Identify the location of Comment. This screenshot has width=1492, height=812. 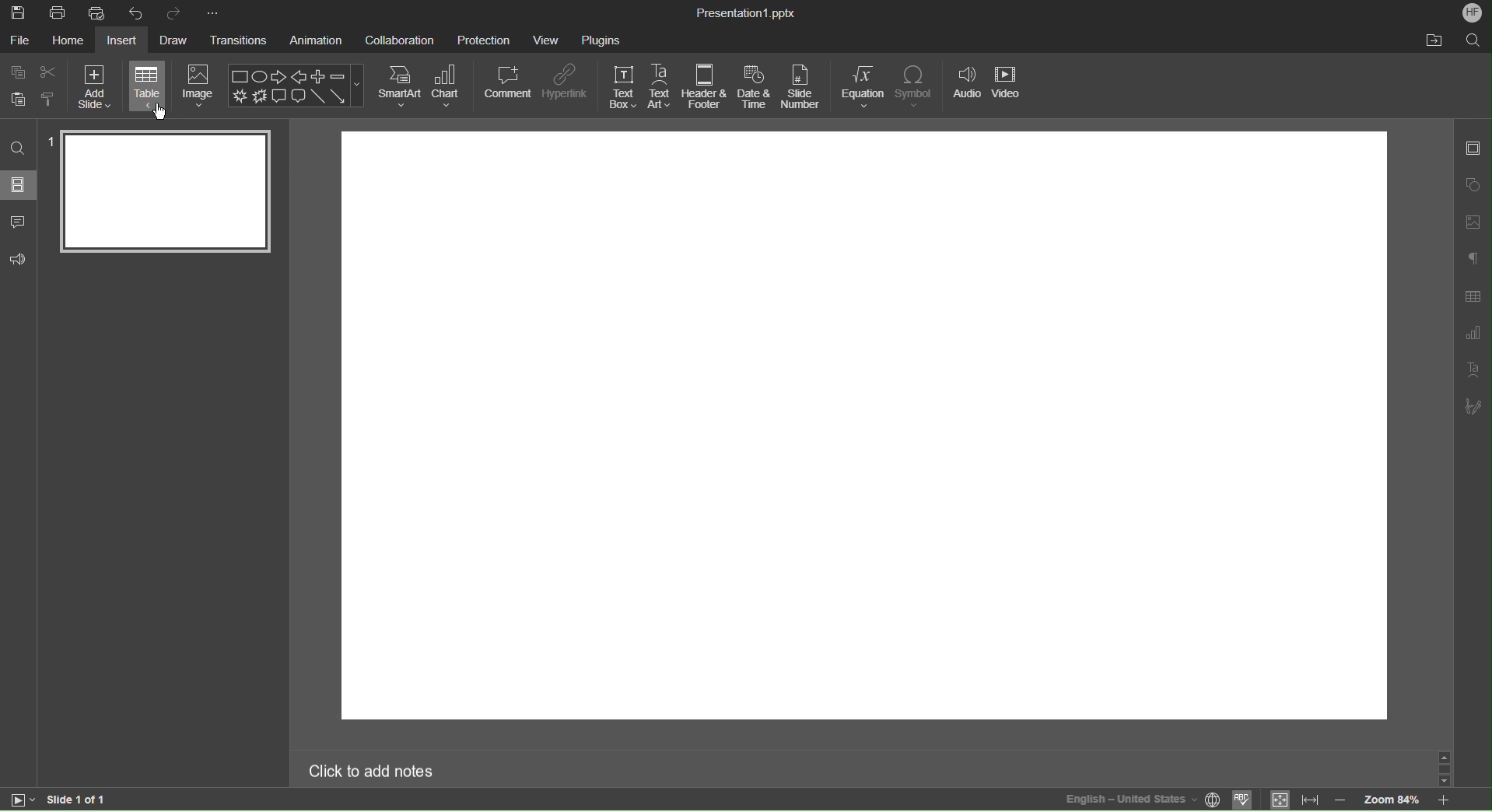
(509, 83).